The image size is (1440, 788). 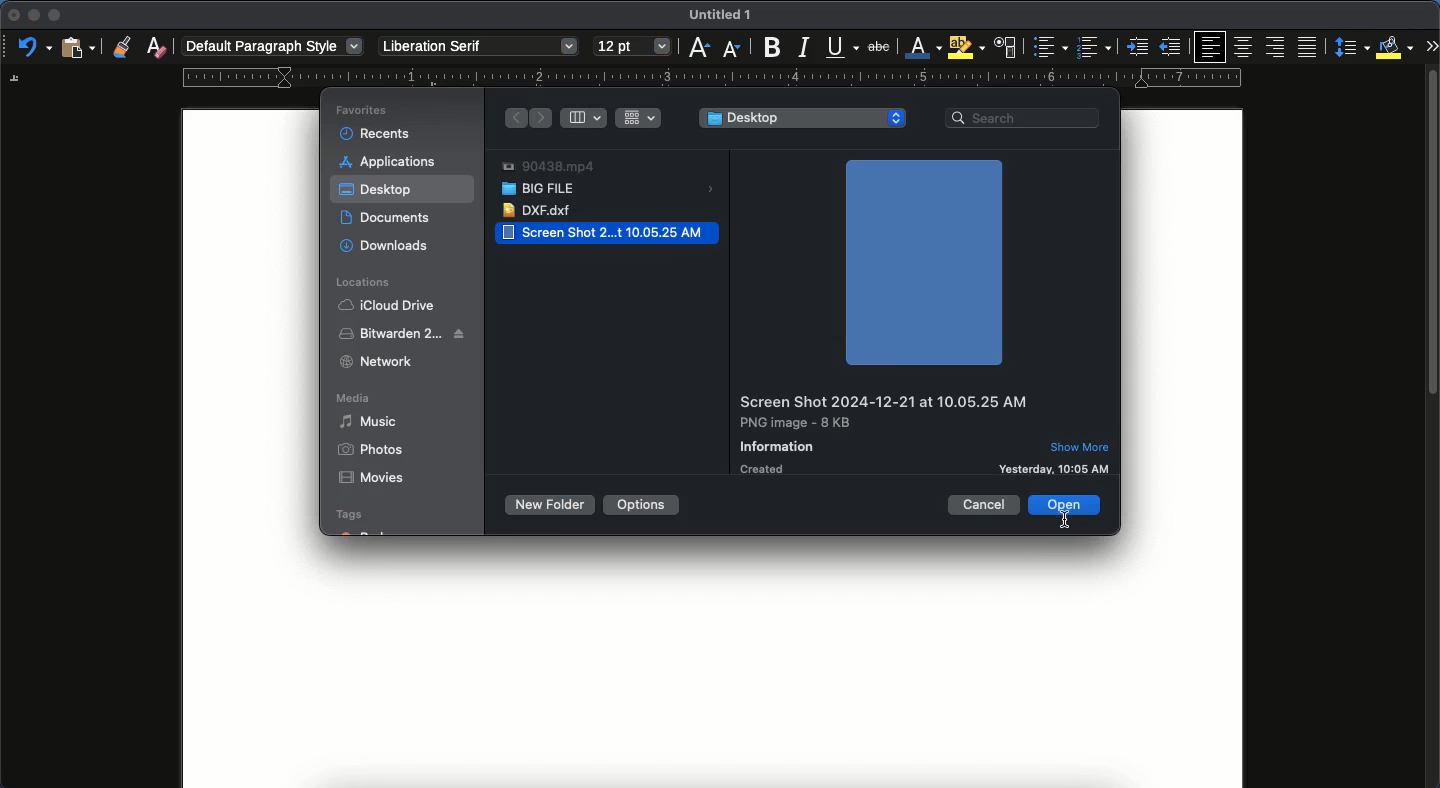 What do you see at coordinates (1431, 45) in the screenshot?
I see `expand` at bounding box center [1431, 45].